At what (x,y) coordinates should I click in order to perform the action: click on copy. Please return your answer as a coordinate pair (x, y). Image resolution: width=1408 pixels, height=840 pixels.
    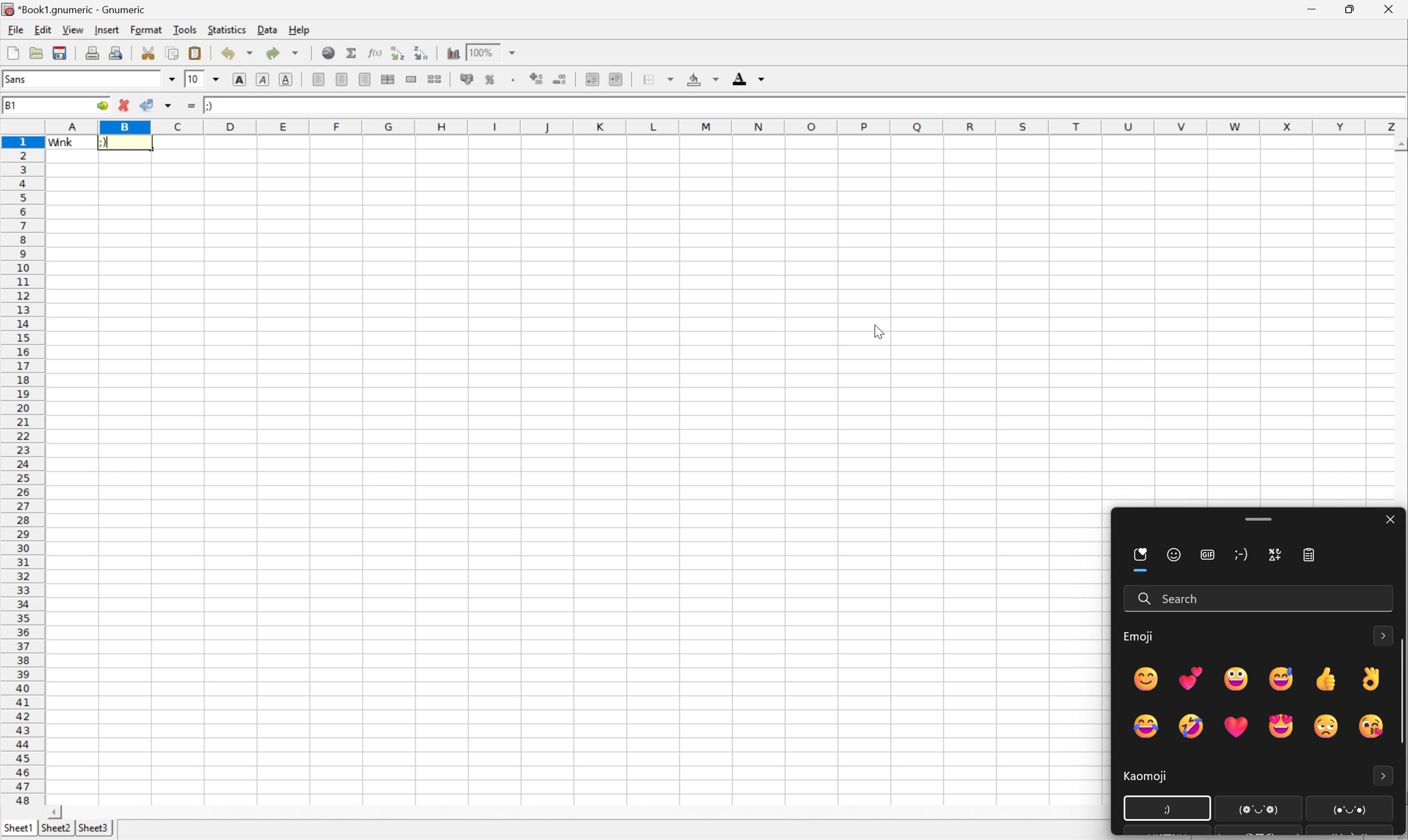
    Looking at the image, I should click on (173, 53).